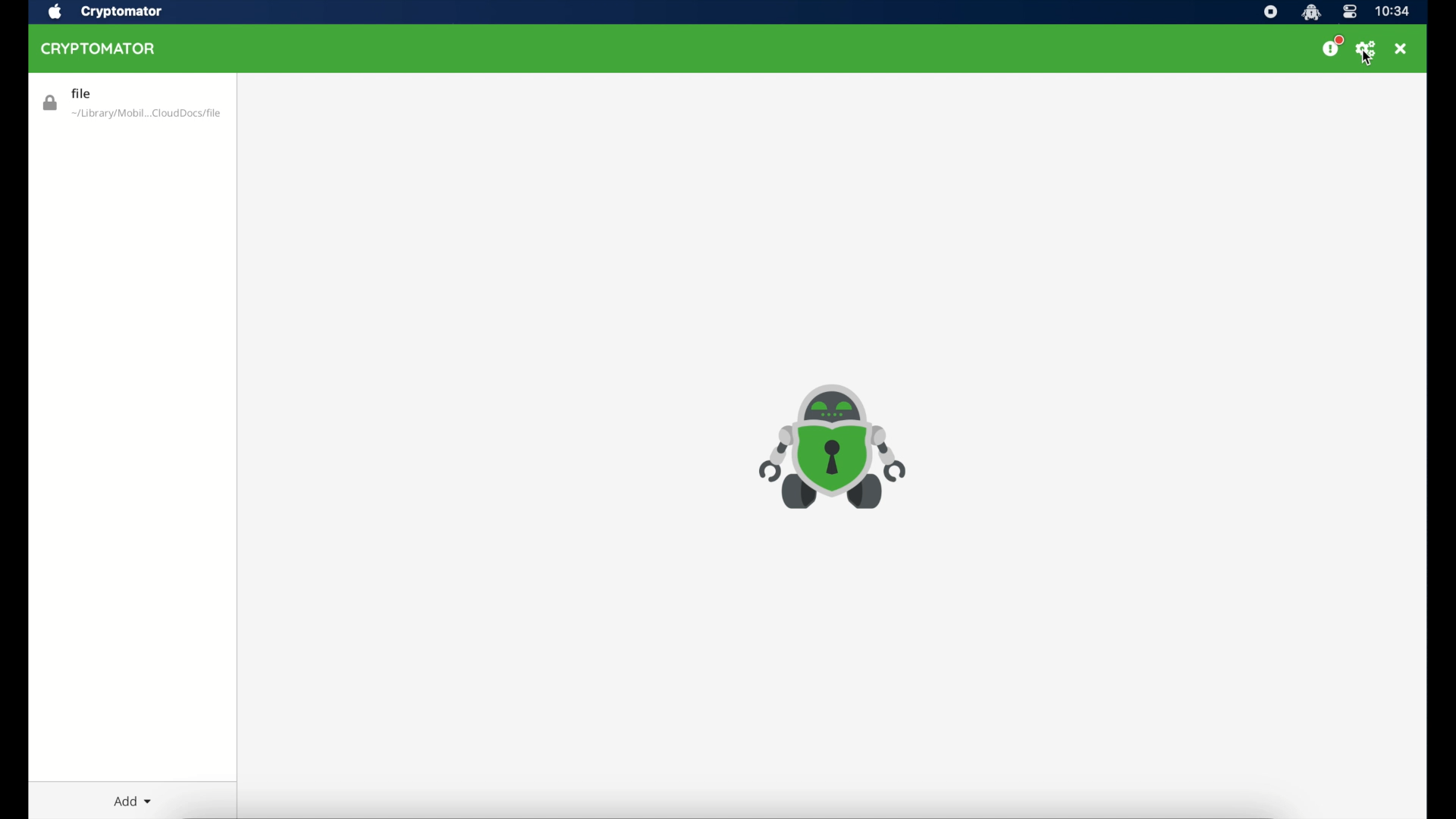  What do you see at coordinates (1311, 12) in the screenshot?
I see `cryptomator icon` at bounding box center [1311, 12].